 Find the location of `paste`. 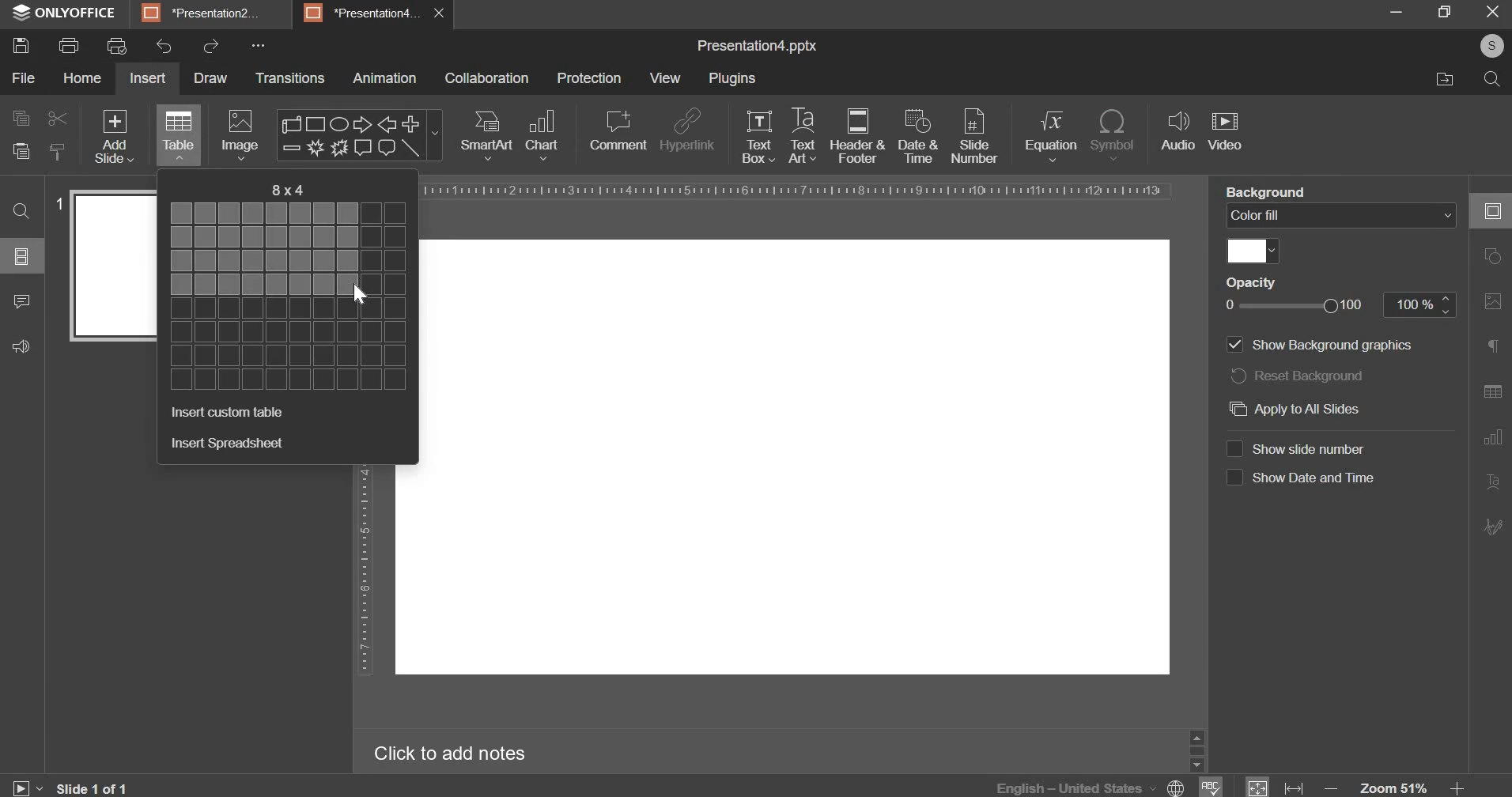

paste is located at coordinates (21, 150).